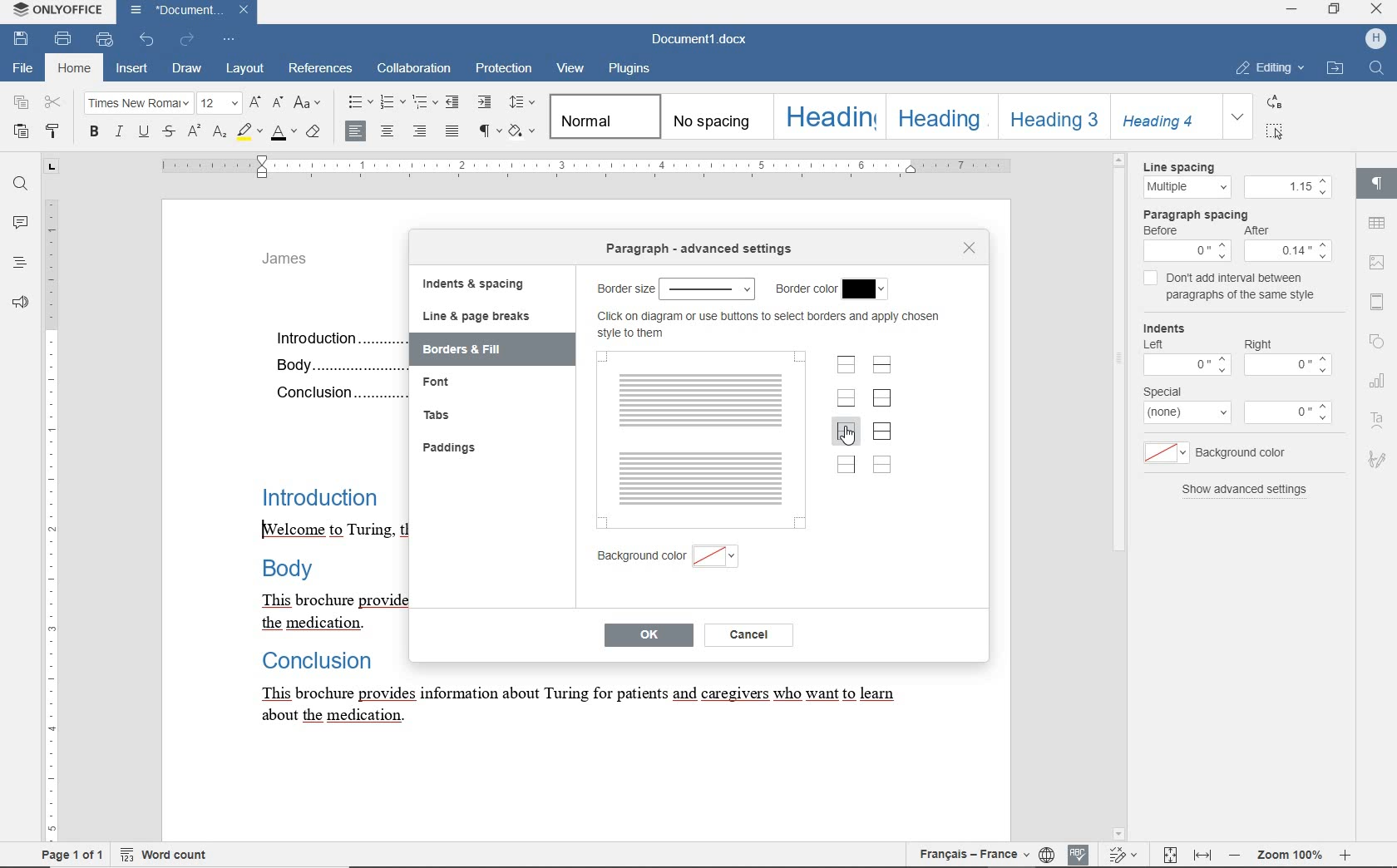  Describe the element at coordinates (453, 102) in the screenshot. I see `decrease indent` at that location.